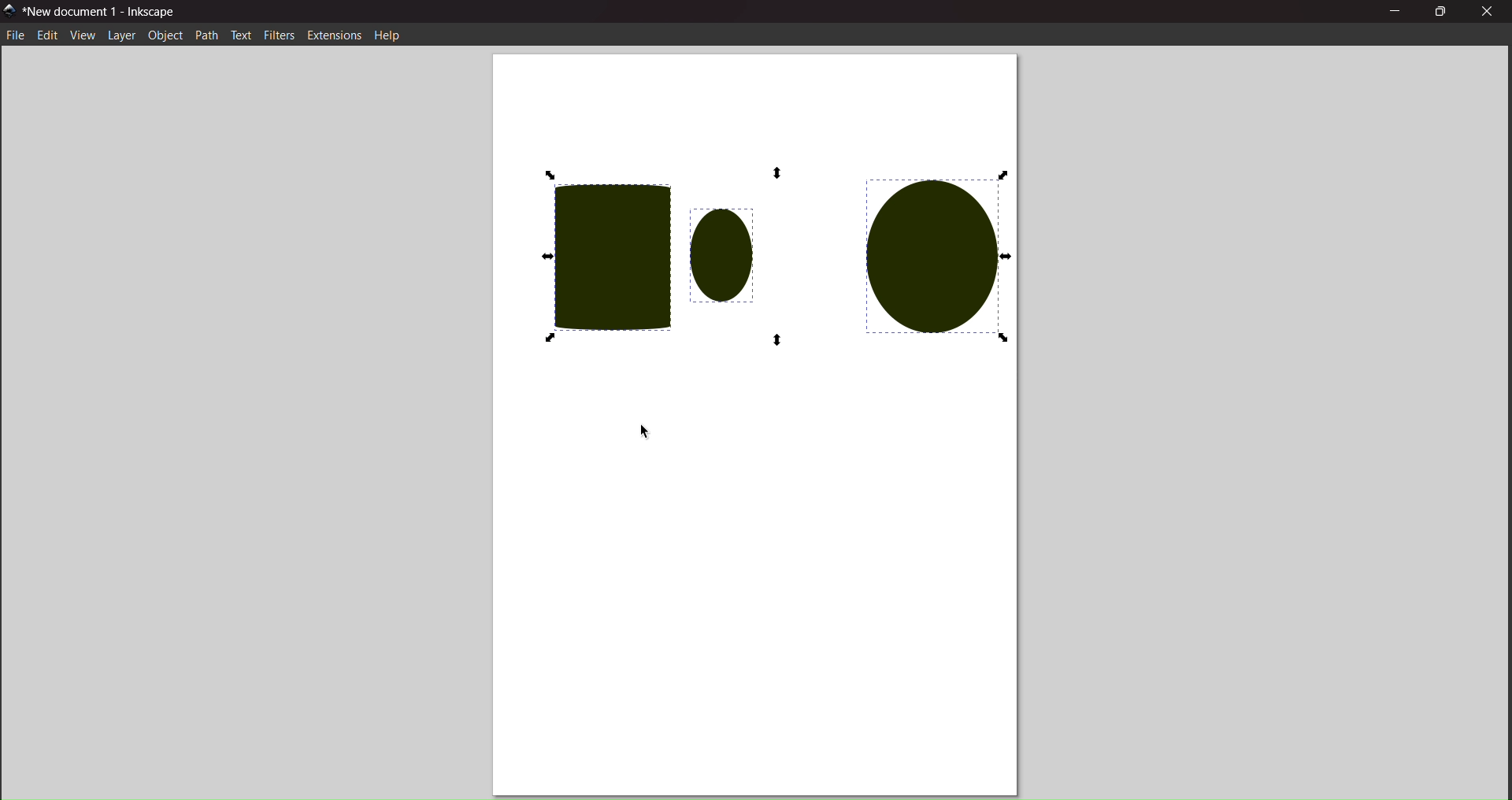  What do you see at coordinates (11, 10) in the screenshot?
I see `logo` at bounding box center [11, 10].